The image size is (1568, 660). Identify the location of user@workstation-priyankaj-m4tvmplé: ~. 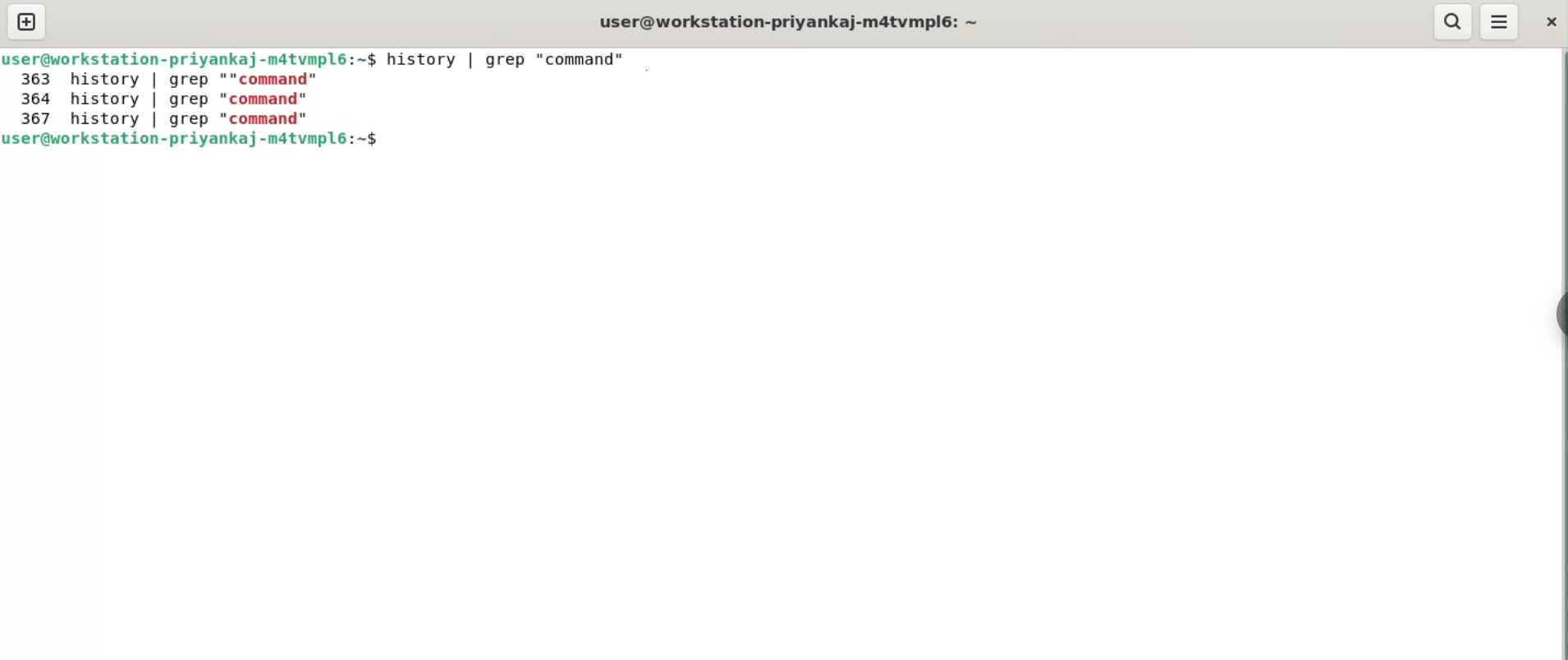
(801, 22).